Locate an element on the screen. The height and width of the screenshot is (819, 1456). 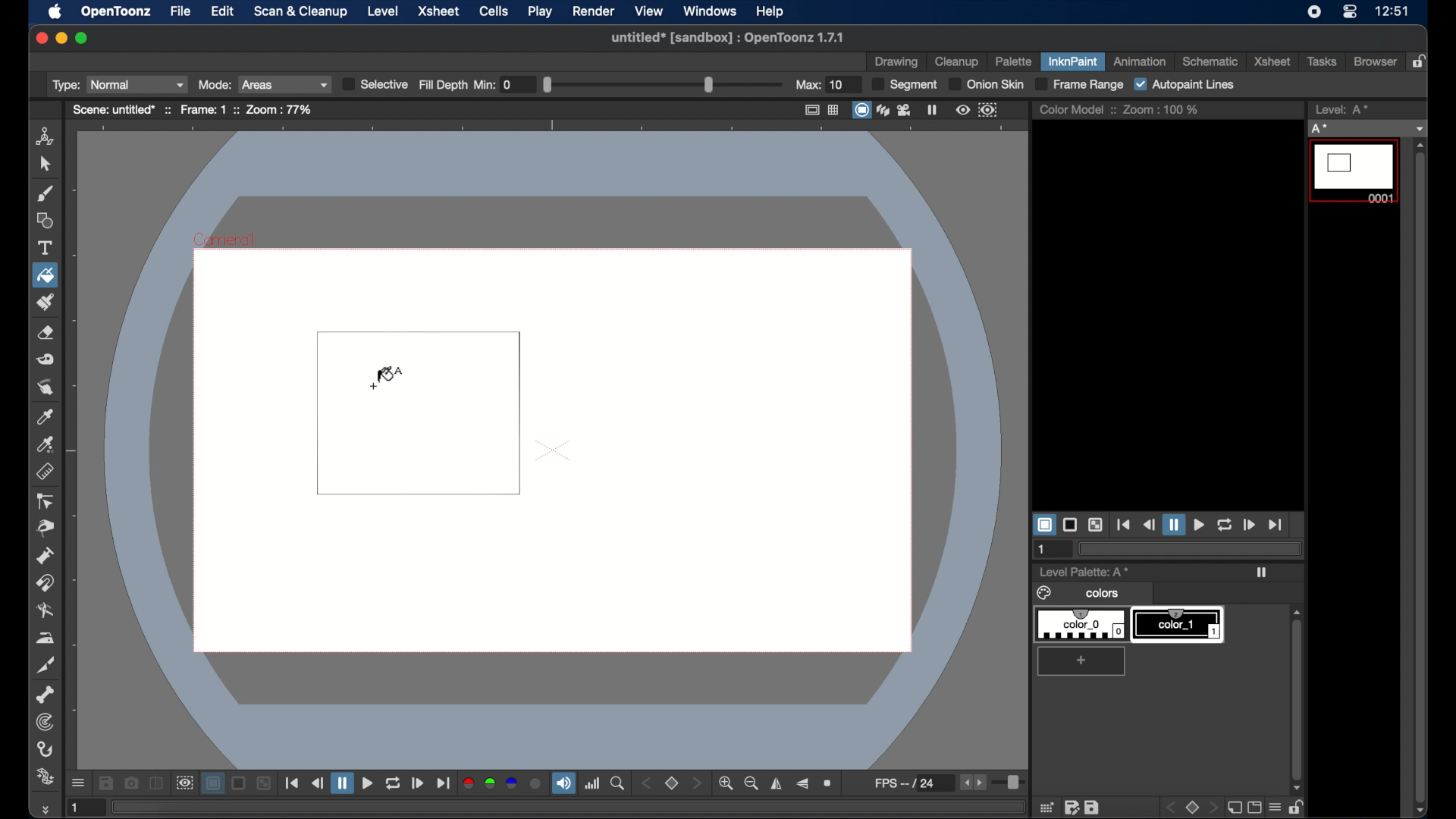
tasks is located at coordinates (1321, 61).